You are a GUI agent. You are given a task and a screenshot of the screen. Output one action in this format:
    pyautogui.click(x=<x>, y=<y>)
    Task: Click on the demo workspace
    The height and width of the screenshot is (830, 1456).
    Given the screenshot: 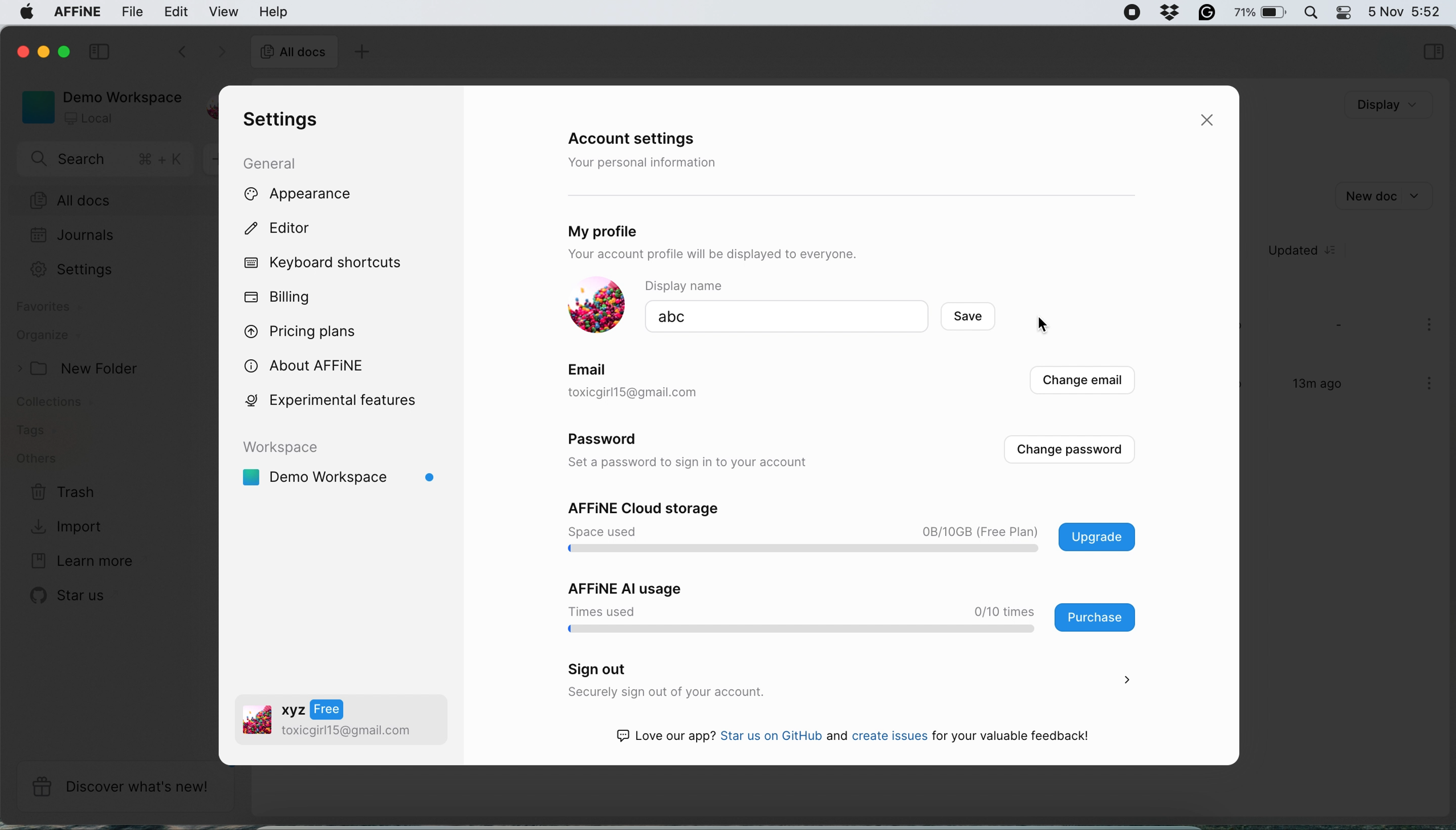 What is the action you would take?
    pyautogui.click(x=344, y=469)
    